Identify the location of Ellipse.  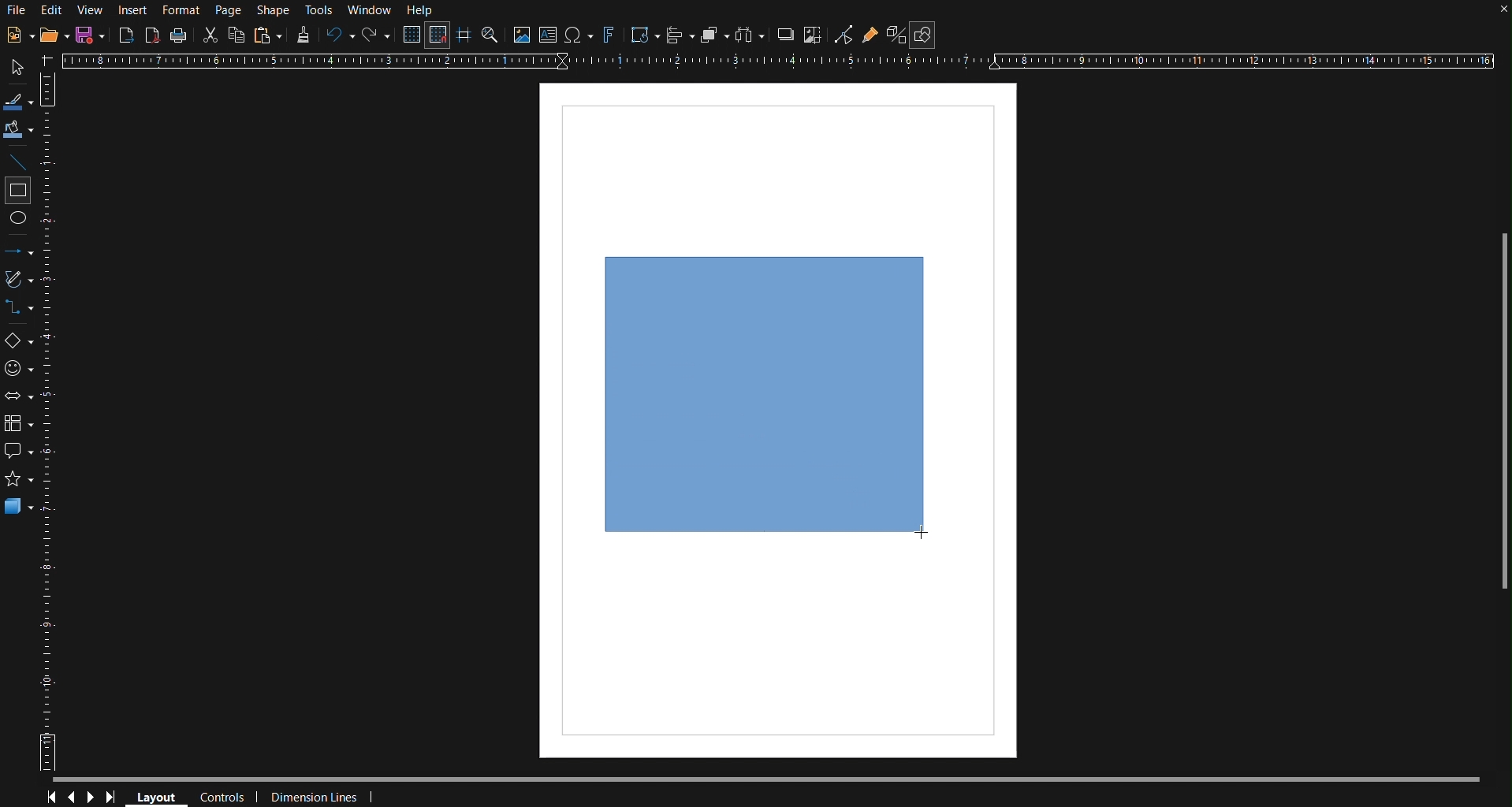
(20, 222).